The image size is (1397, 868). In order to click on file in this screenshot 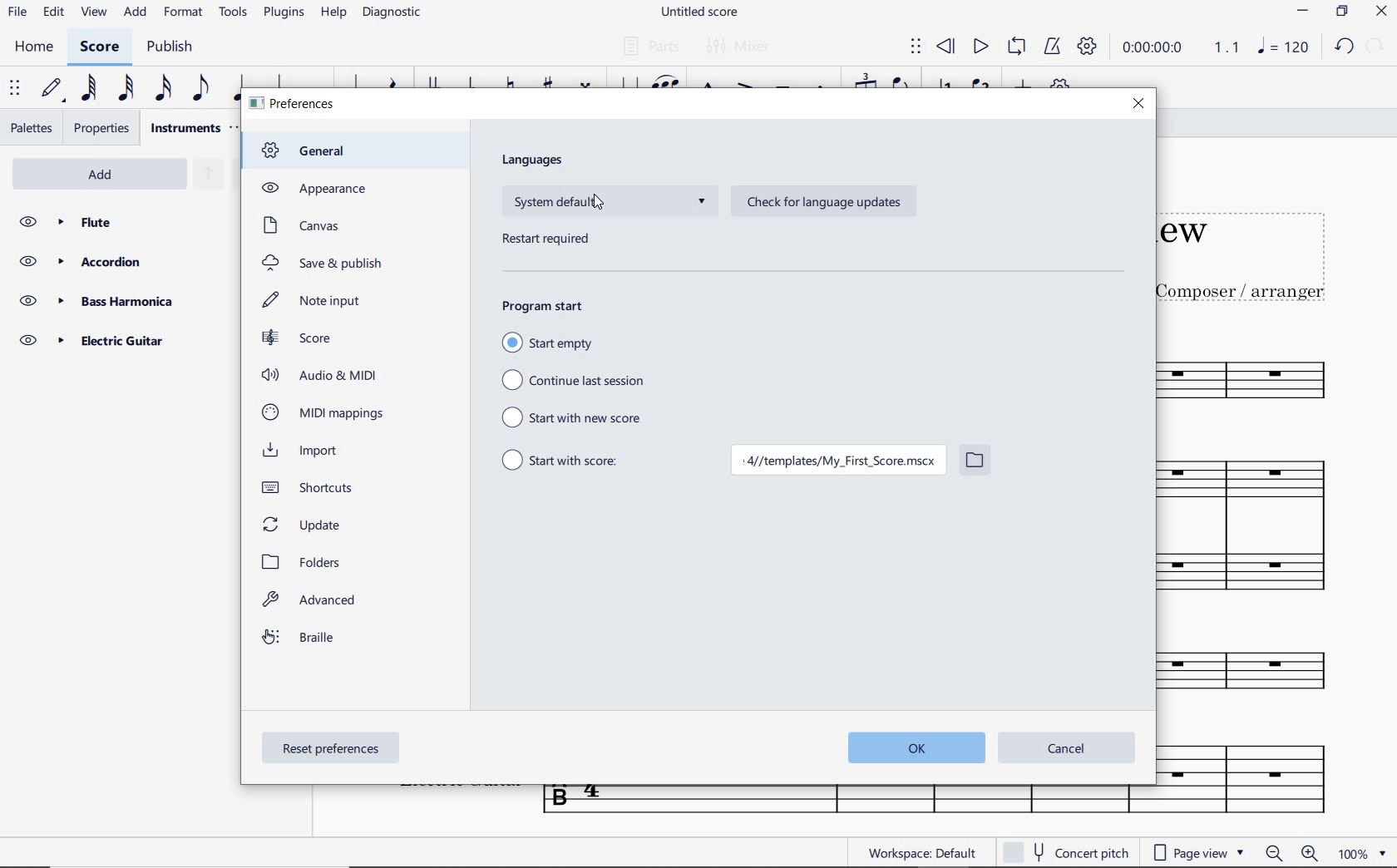, I will do `click(17, 14)`.